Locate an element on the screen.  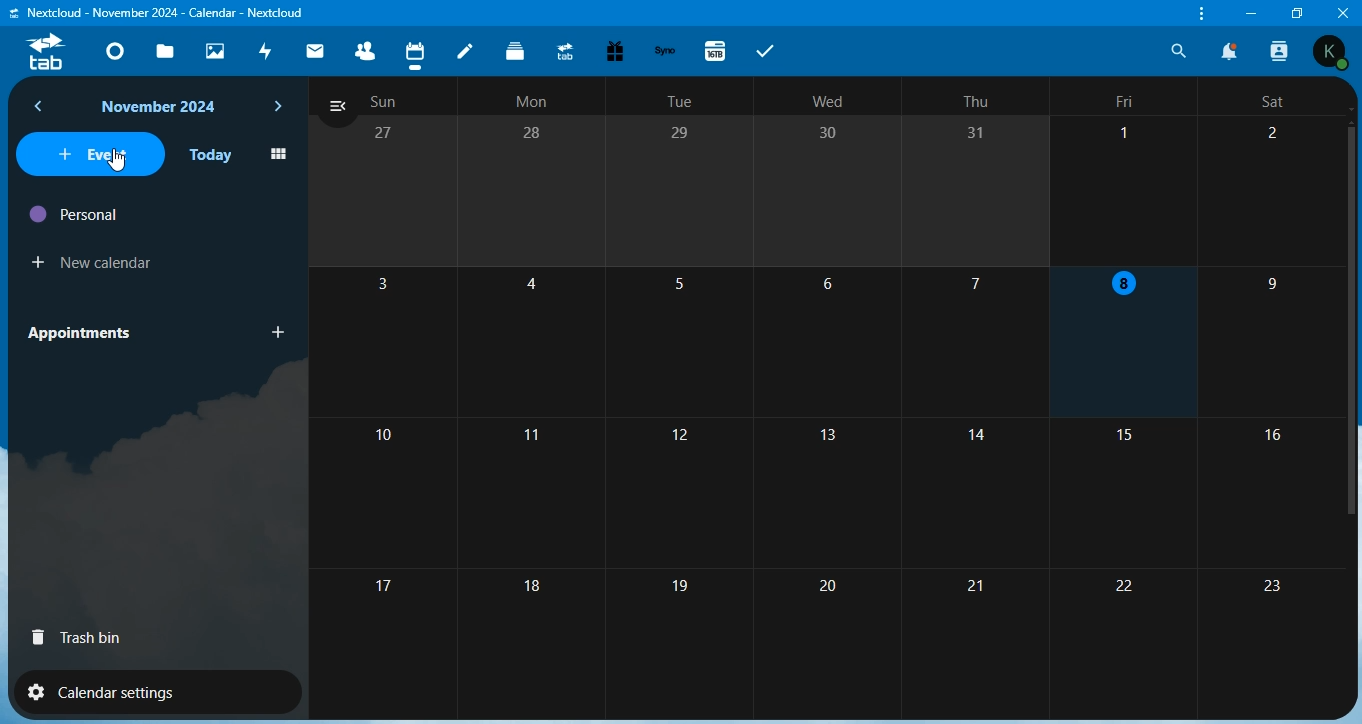
activity is located at coordinates (264, 51).